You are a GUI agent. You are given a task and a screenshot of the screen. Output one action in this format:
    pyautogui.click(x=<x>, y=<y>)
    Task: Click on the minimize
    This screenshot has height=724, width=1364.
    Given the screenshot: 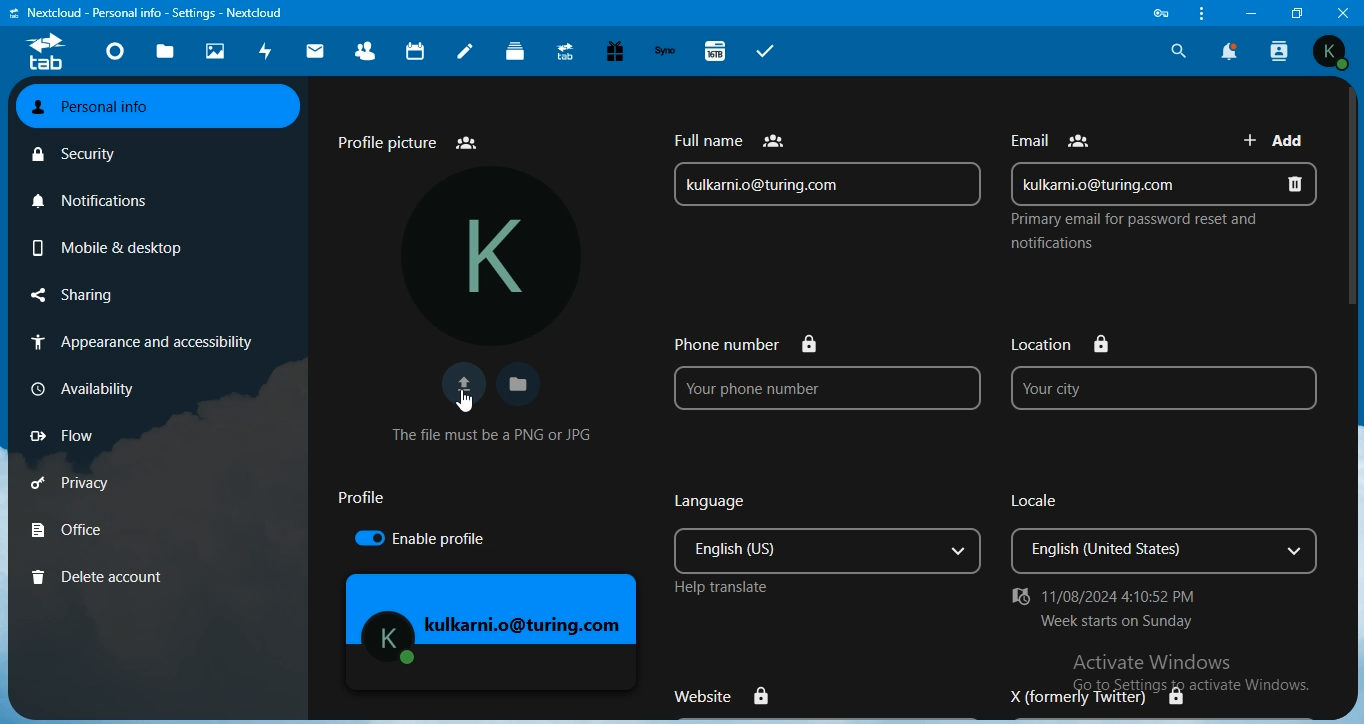 What is the action you would take?
    pyautogui.click(x=1249, y=13)
    